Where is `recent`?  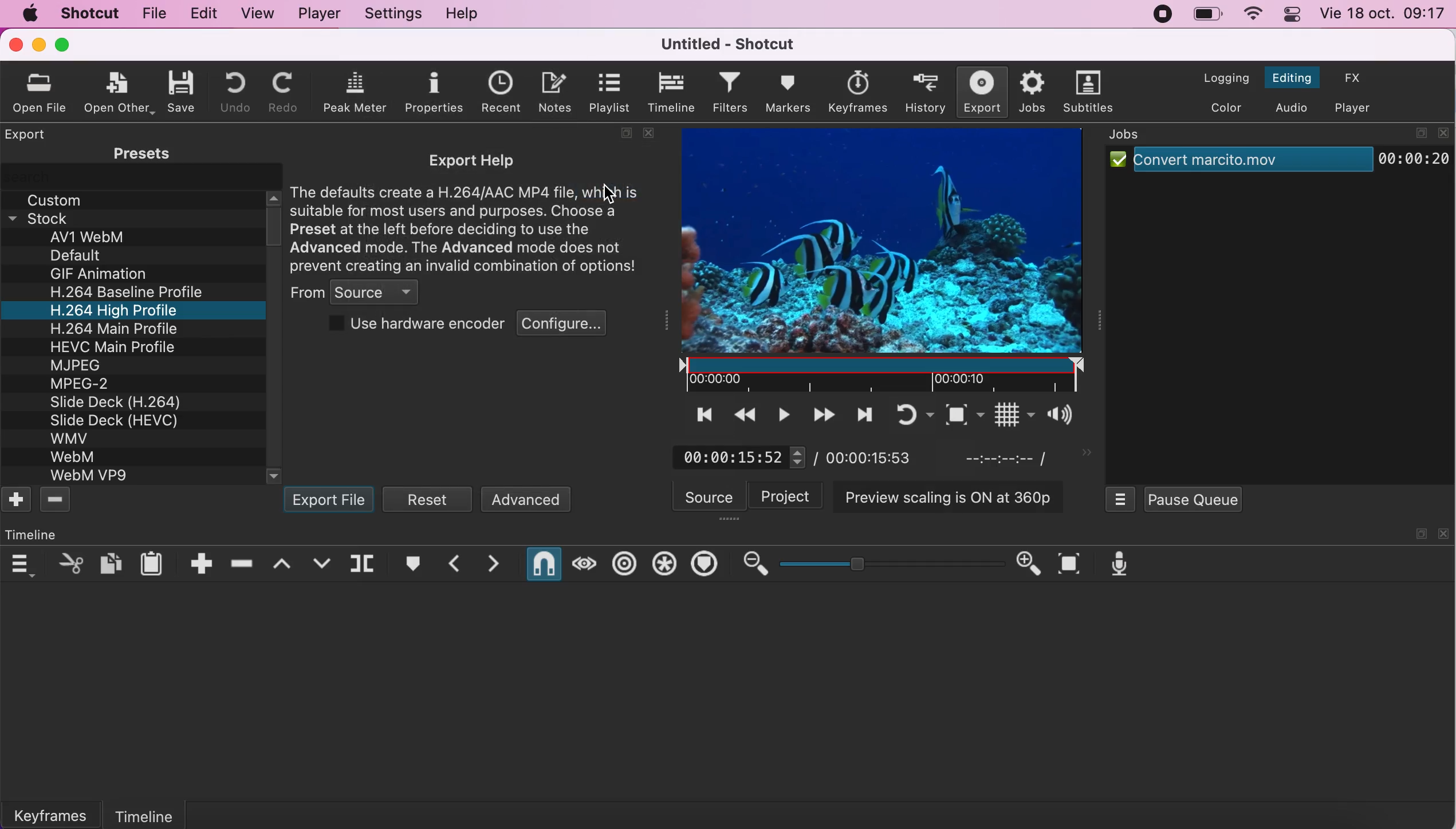
recent is located at coordinates (498, 92).